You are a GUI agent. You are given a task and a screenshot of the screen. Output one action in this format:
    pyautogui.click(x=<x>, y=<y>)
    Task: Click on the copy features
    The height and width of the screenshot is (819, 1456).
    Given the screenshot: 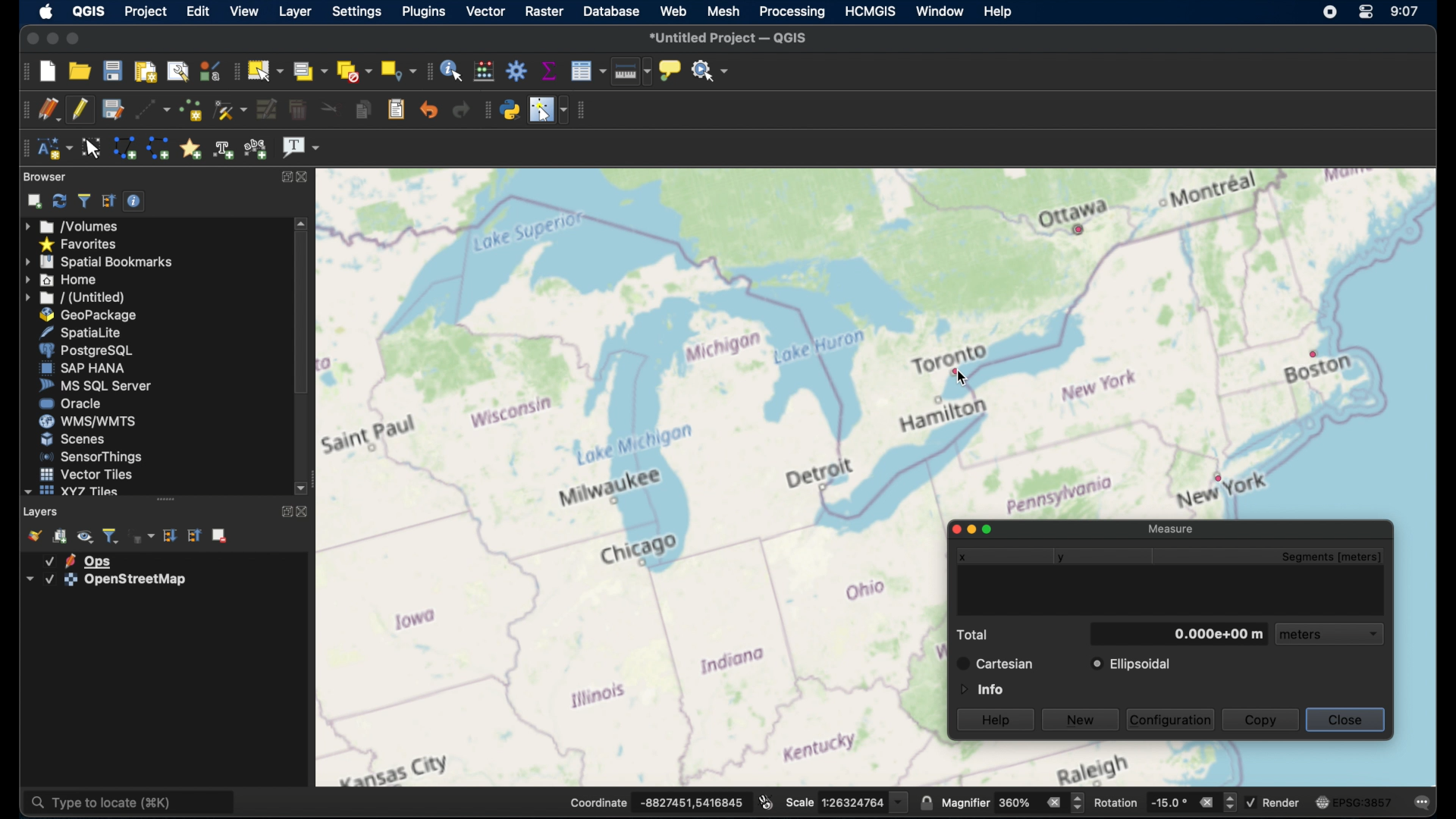 What is the action you would take?
    pyautogui.click(x=362, y=110)
    